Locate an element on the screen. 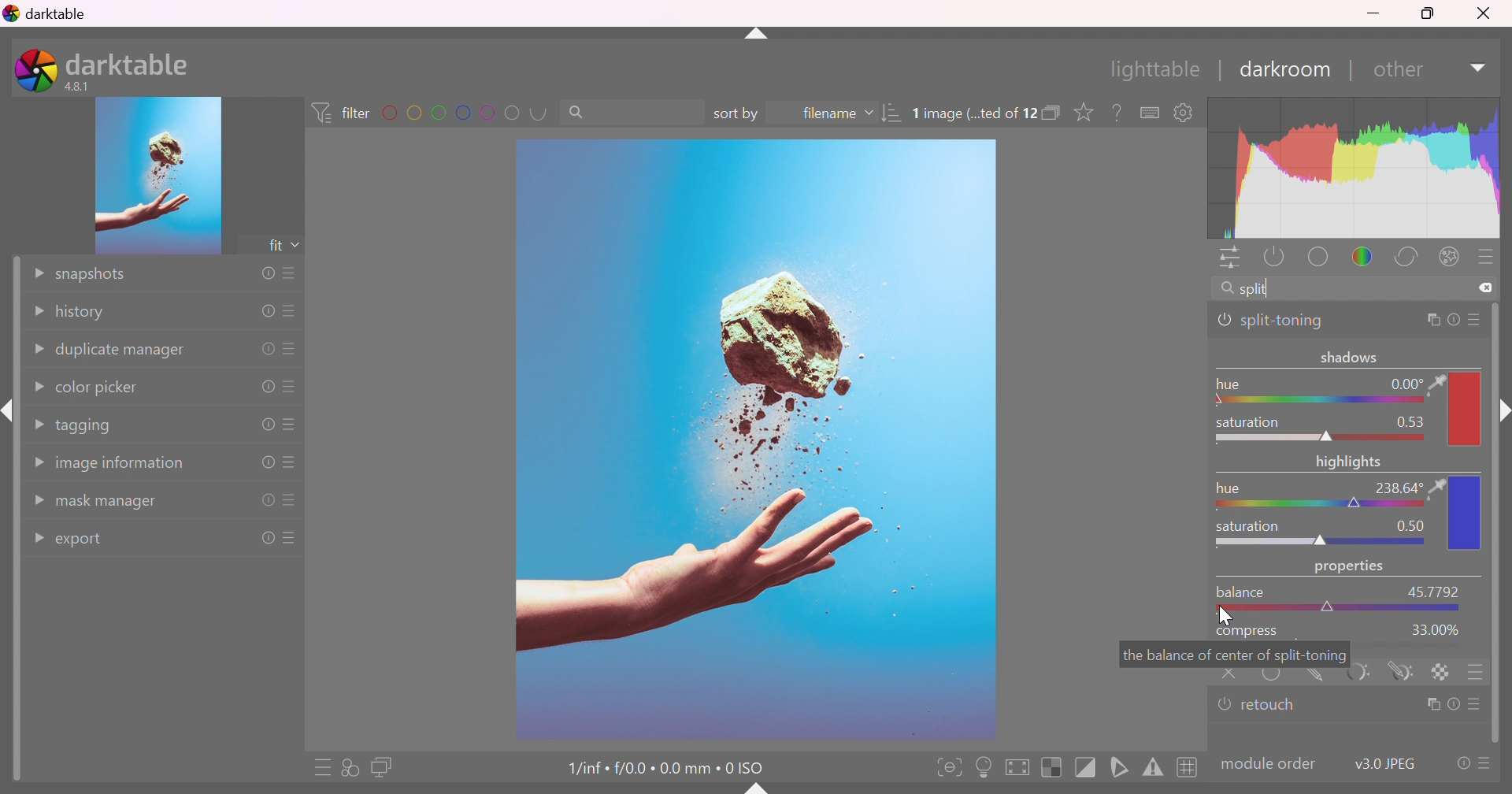 Image resolution: width=1512 pixels, height=794 pixels. presets is located at coordinates (294, 386).